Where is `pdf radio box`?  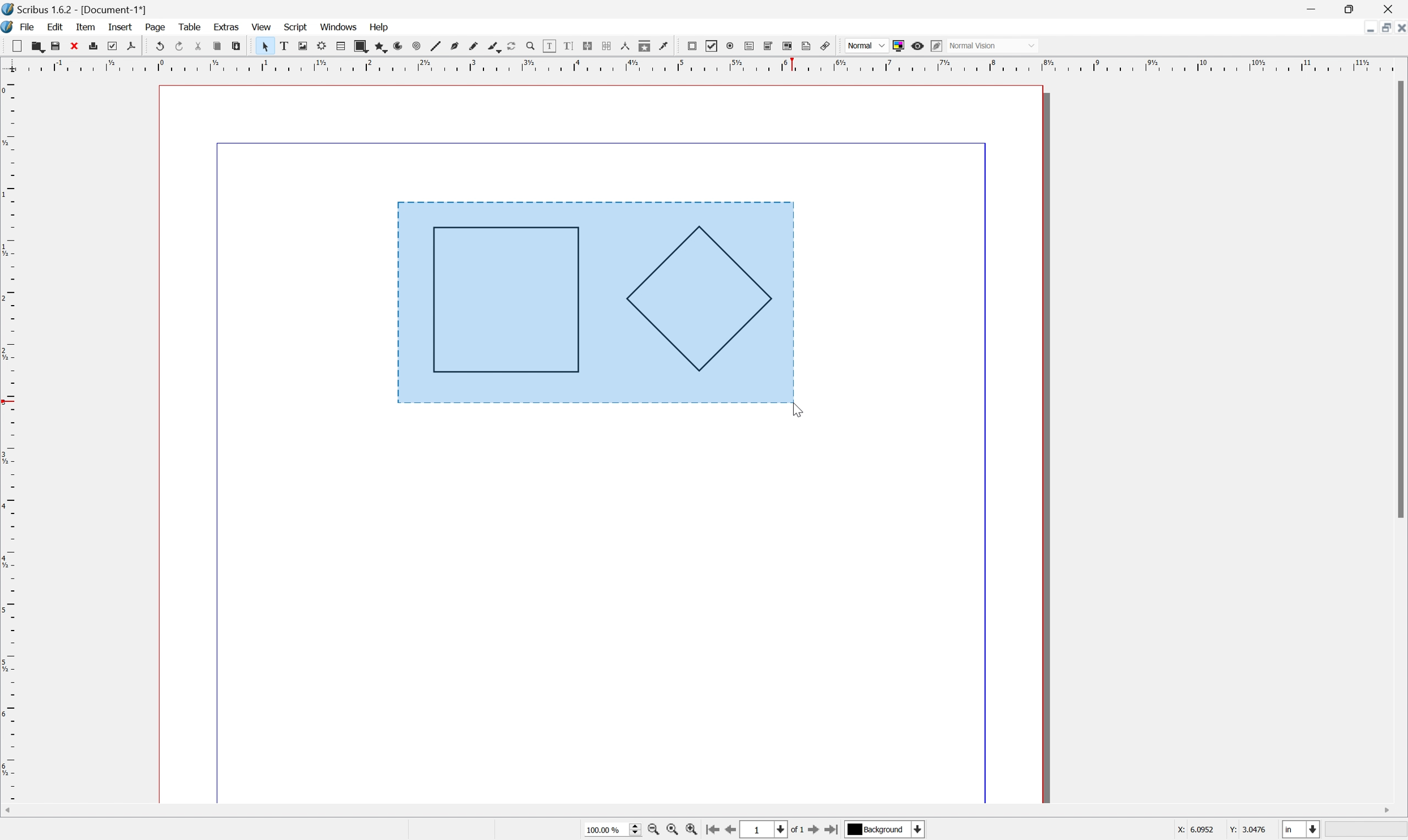 pdf radio box is located at coordinates (728, 45).